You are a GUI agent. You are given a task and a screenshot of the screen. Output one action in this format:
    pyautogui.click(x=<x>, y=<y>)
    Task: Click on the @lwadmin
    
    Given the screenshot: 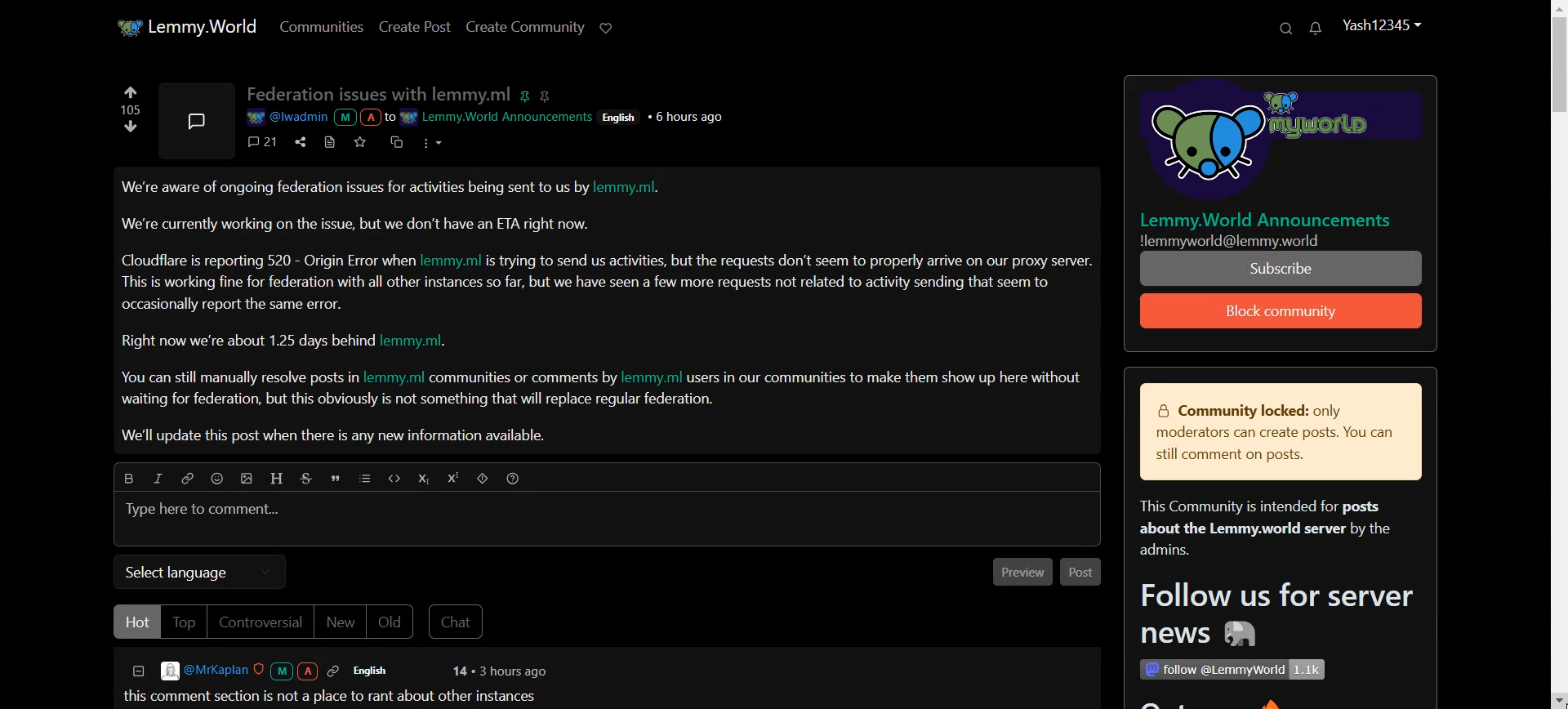 What is the action you would take?
    pyautogui.click(x=321, y=118)
    